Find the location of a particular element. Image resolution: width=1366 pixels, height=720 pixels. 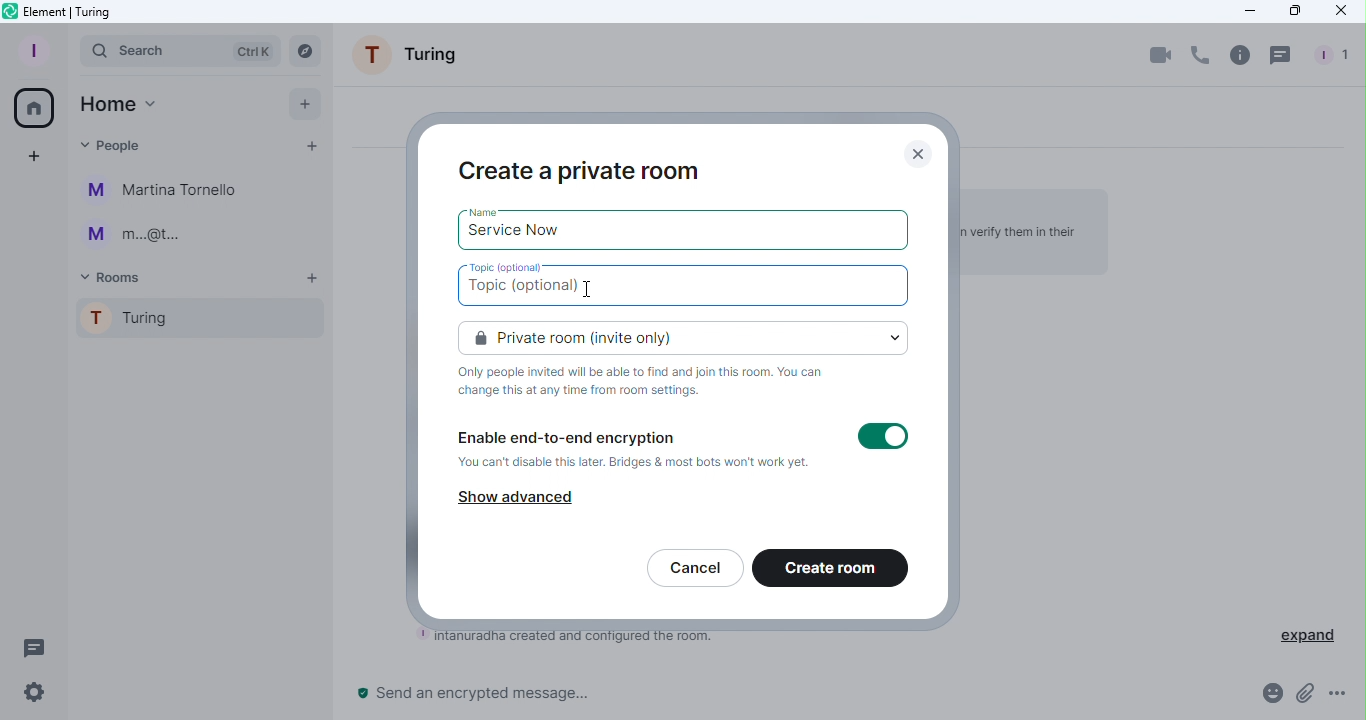

People is located at coordinates (1328, 56).